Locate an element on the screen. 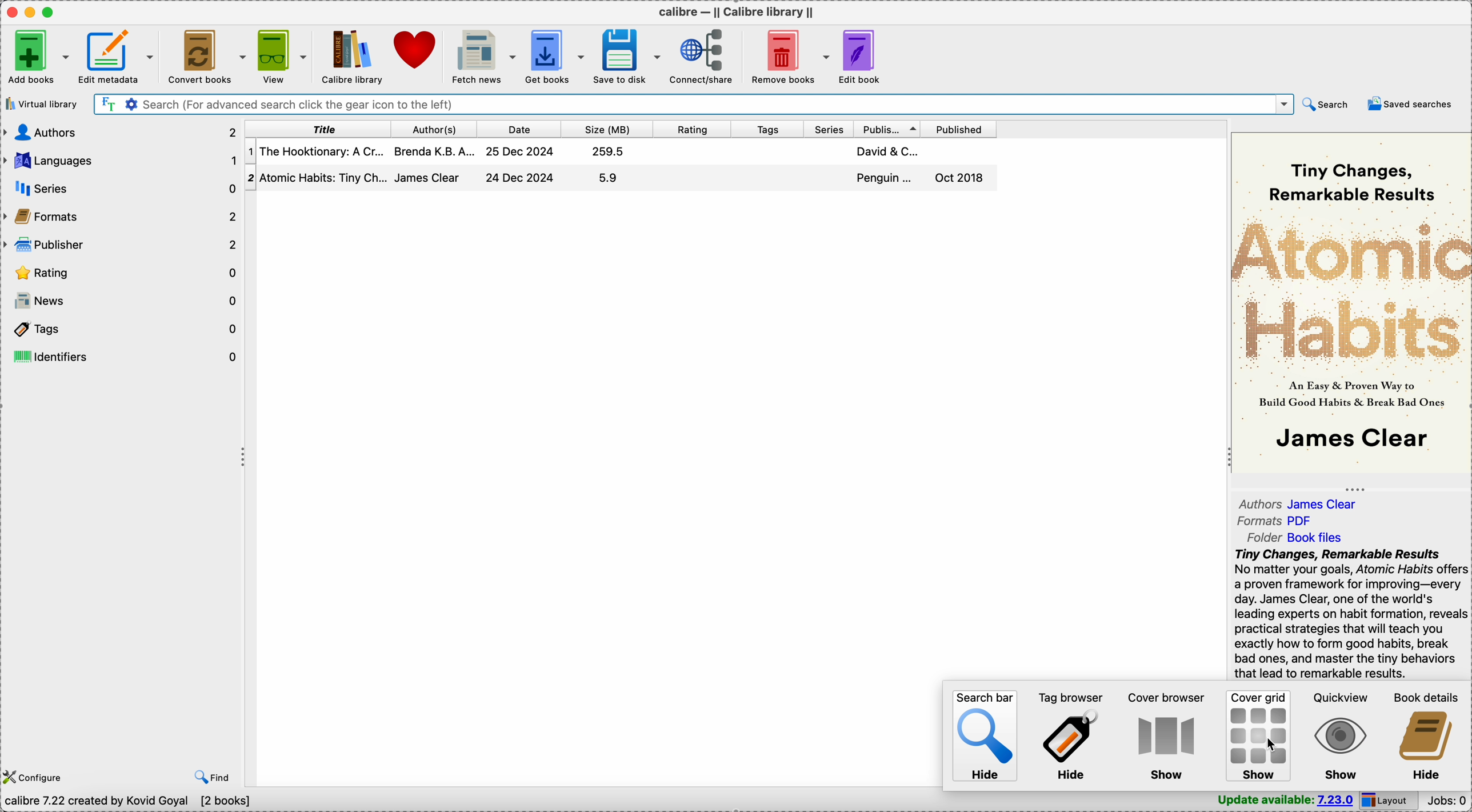 The height and width of the screenshot is (812, 1472). minimize is located at coordinates (33, 12).